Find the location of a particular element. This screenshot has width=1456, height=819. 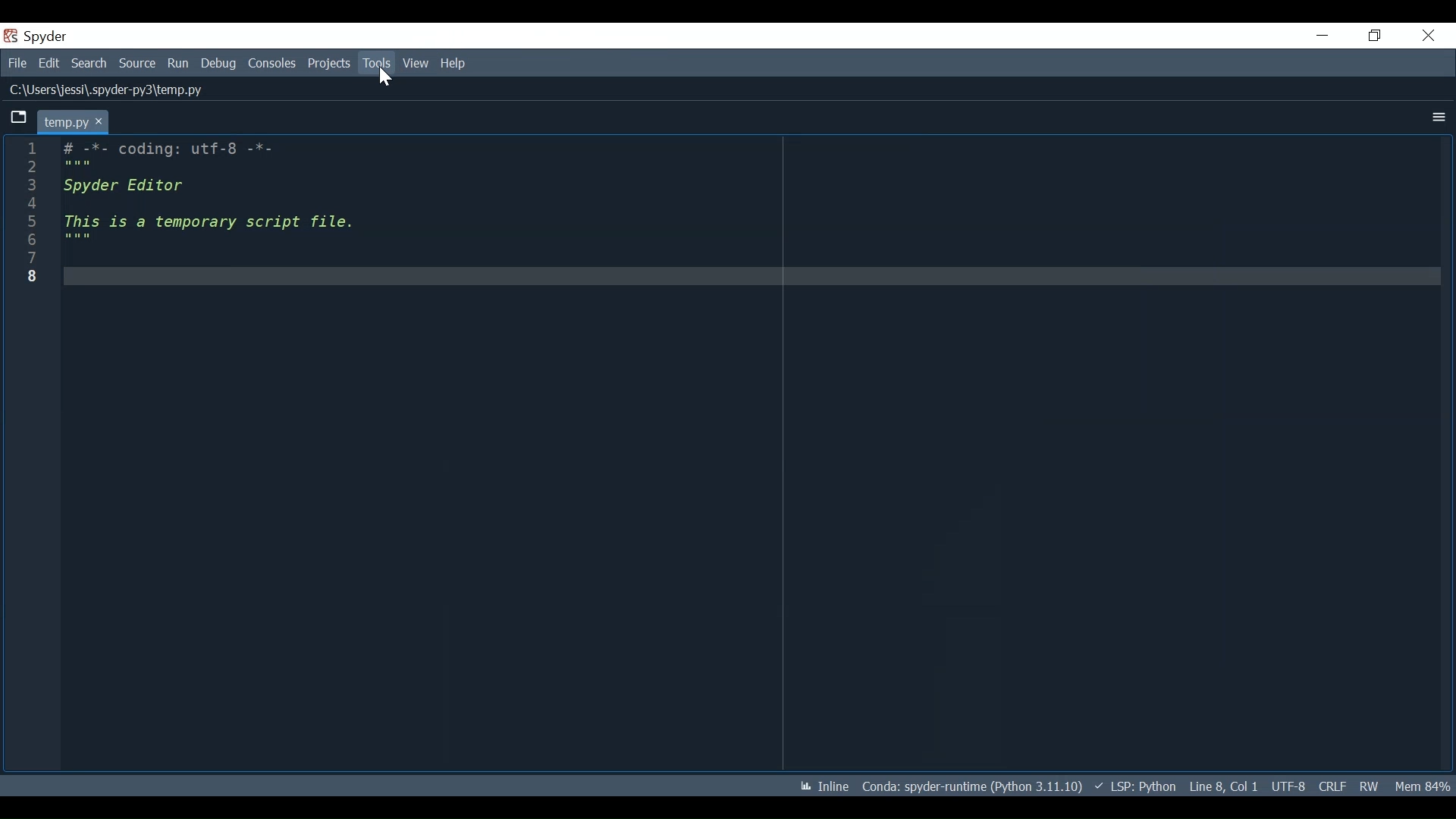

Consoles is located at coordinates (274, 65).